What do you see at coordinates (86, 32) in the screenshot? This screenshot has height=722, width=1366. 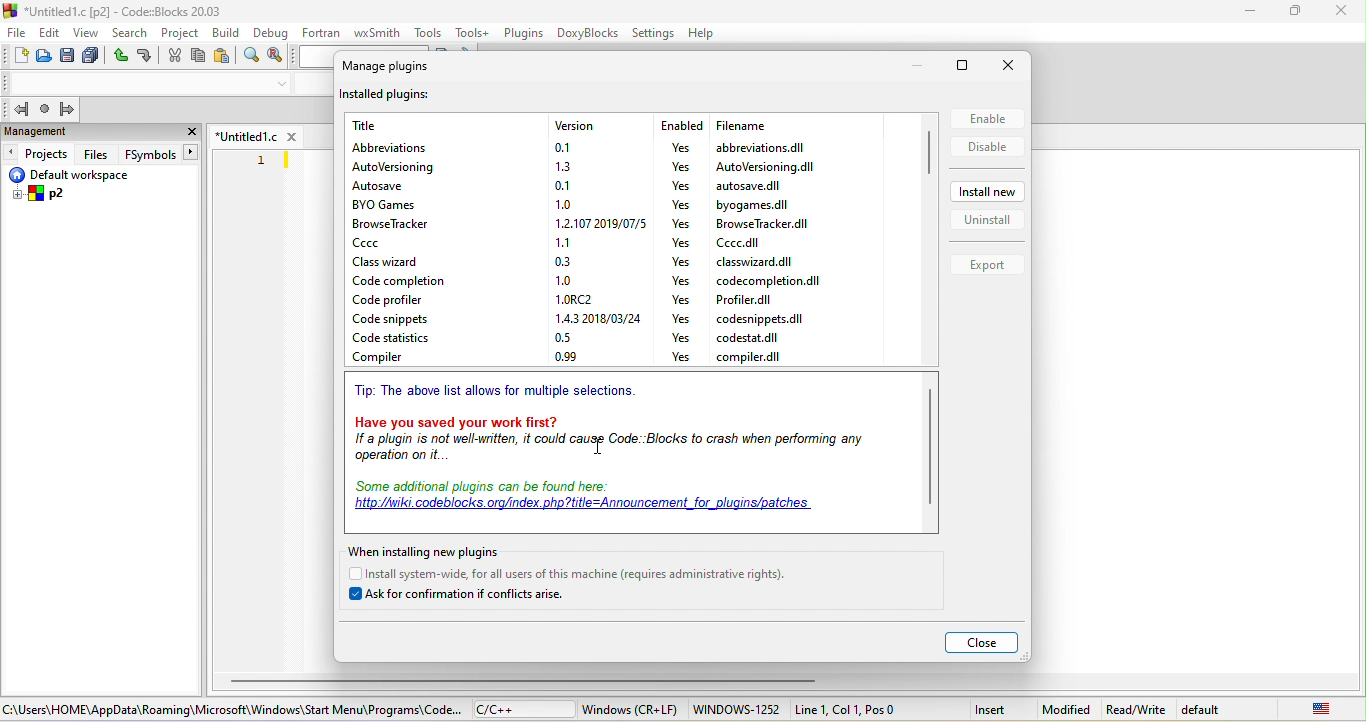 I see `view` at bounding box center [86, 32].